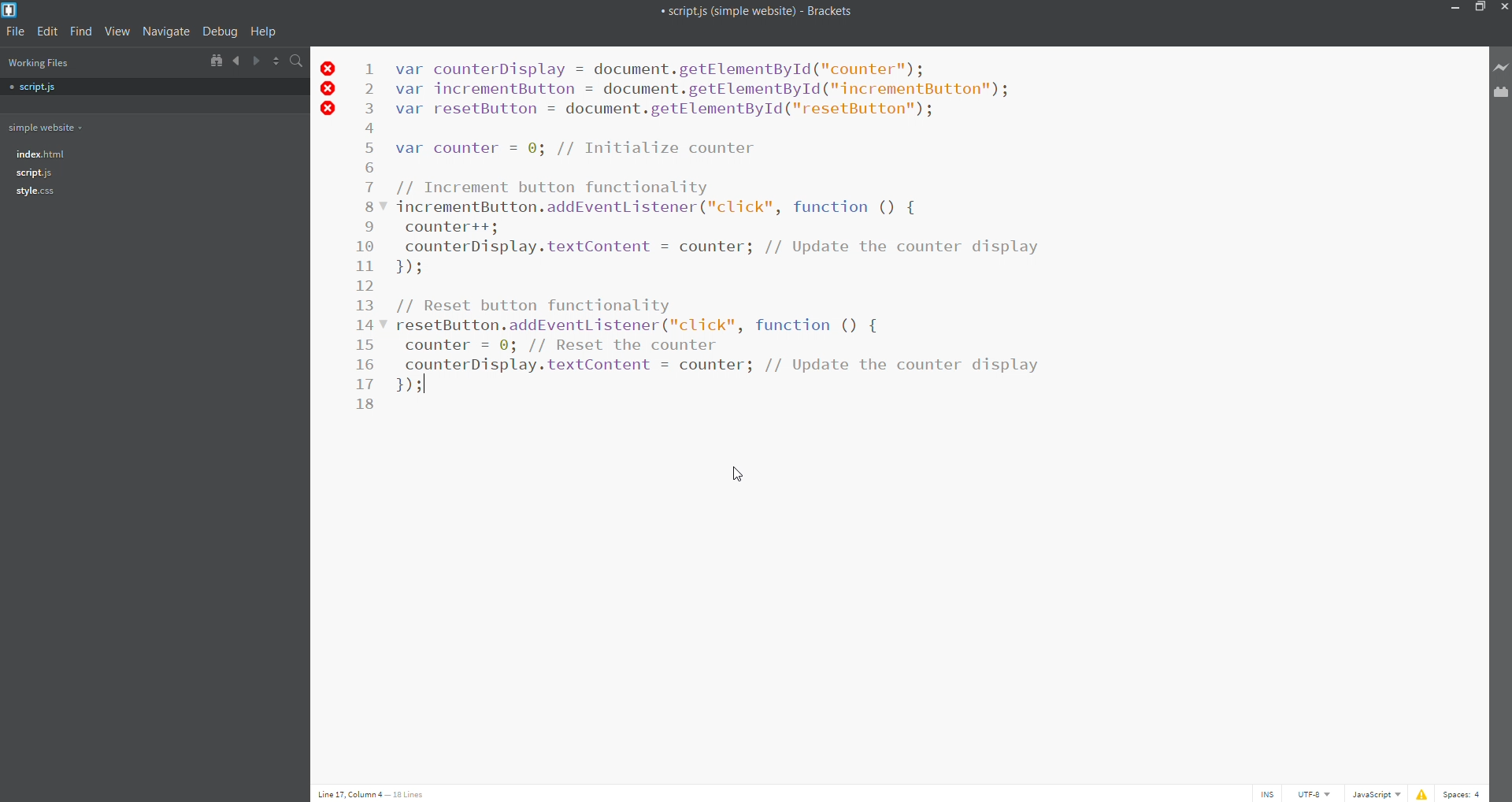  Describe the element at coordinates (236, 61) in the screenshot. I see `navigate backward` at that location.